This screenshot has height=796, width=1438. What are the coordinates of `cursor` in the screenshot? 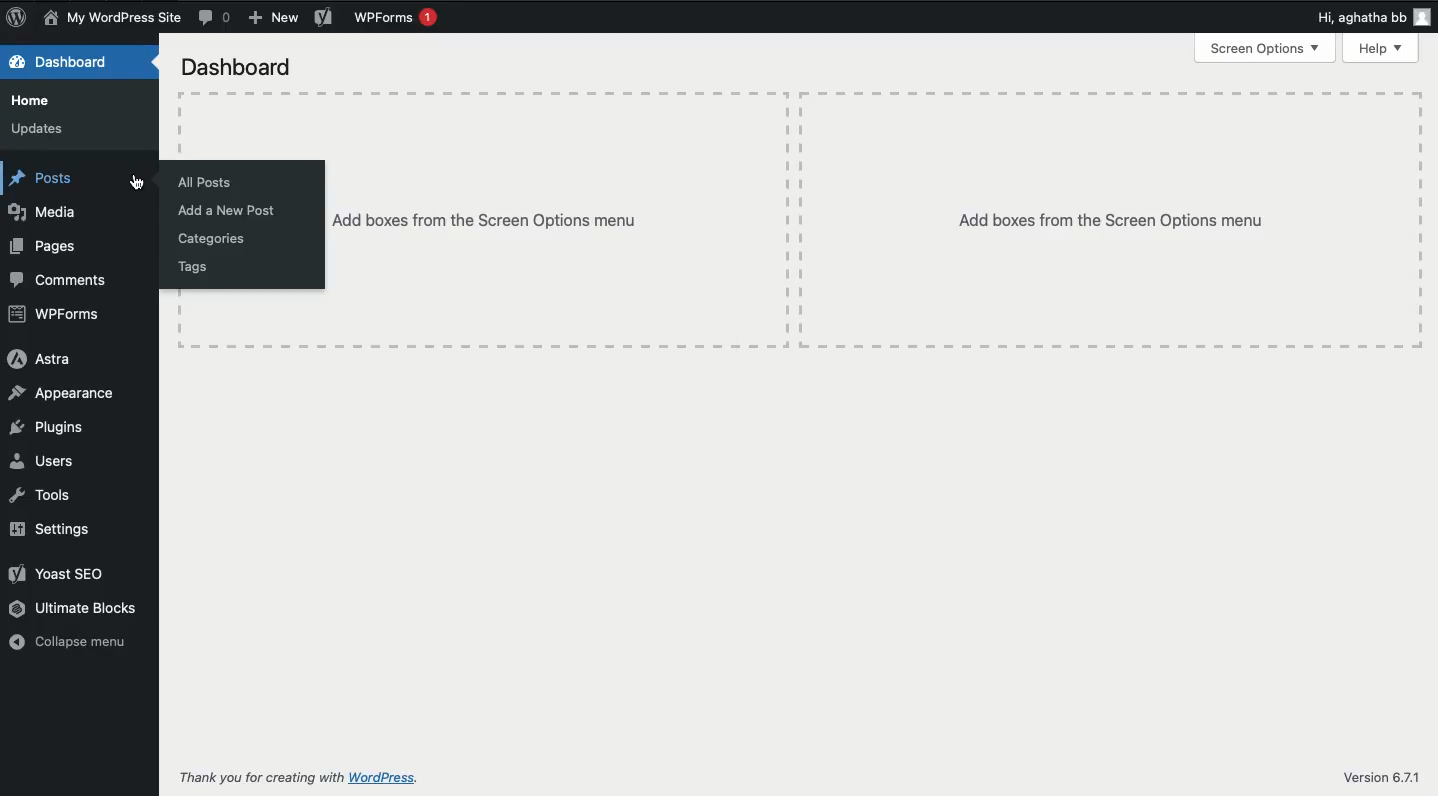 It's located at (130, 182).